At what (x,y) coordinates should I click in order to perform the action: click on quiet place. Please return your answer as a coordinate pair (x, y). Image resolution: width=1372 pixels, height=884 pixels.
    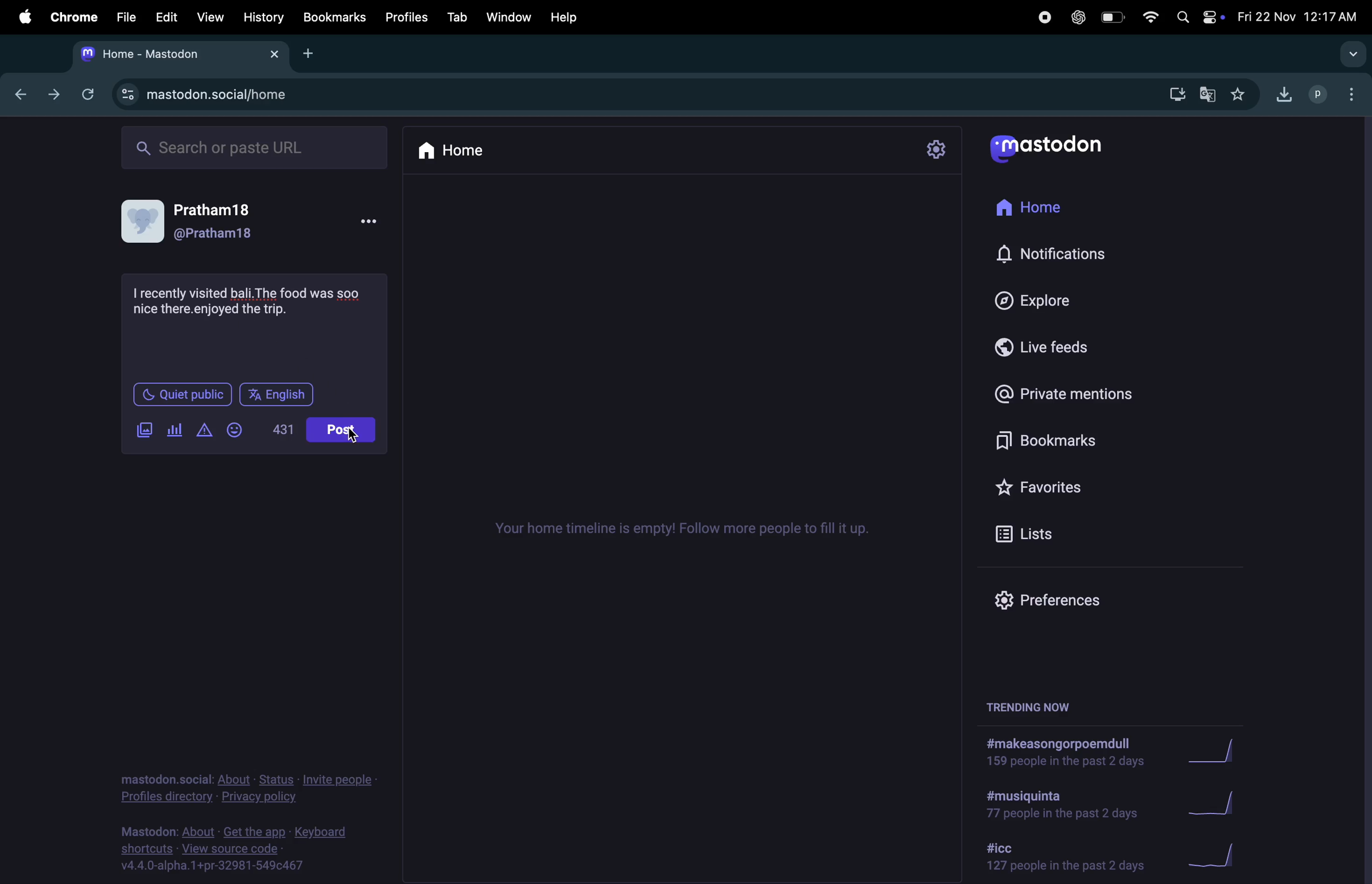
    Looking at the image, I should click on (182, 394).